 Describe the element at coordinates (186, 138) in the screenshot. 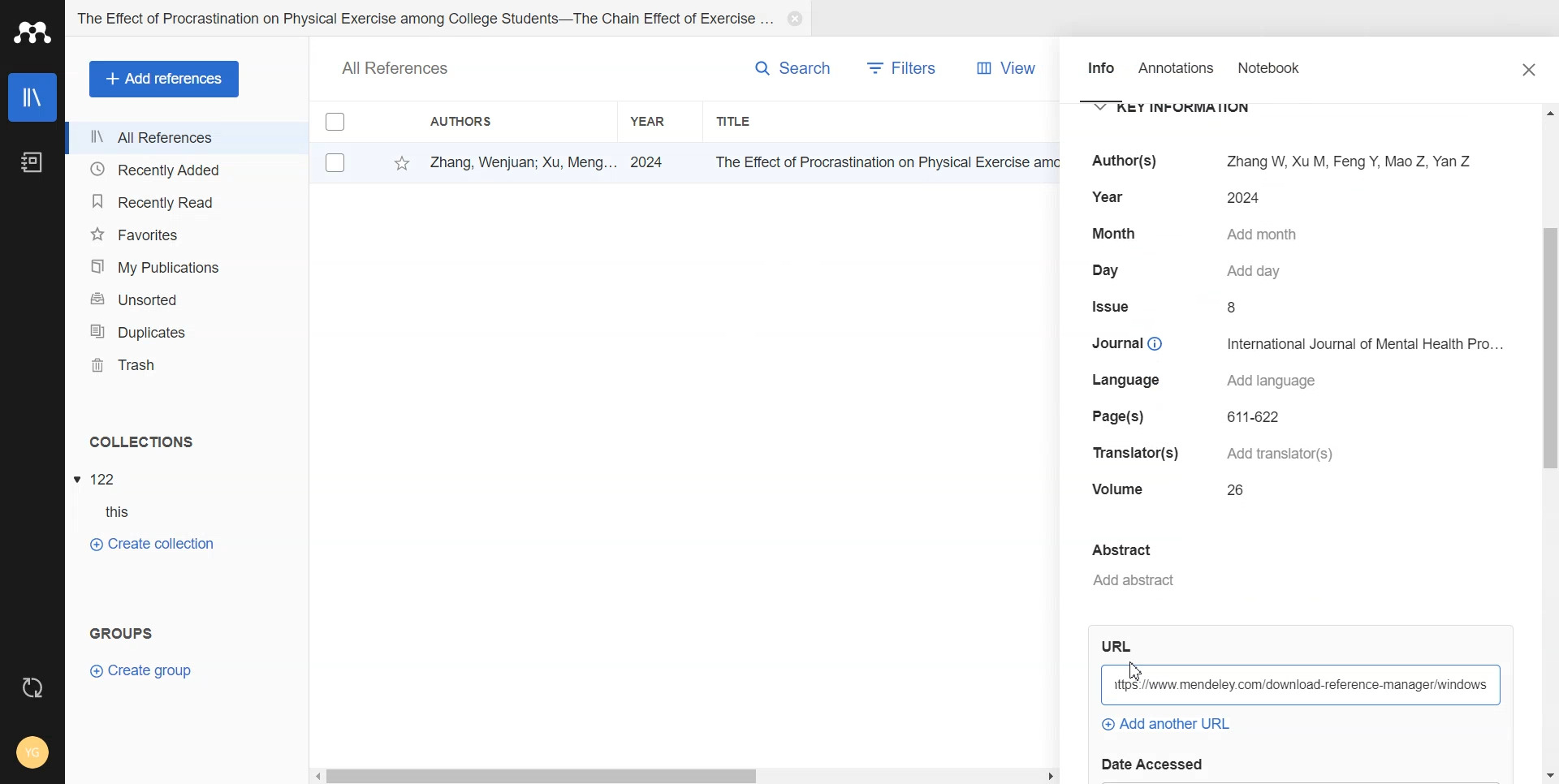

I see `All References` at that location.